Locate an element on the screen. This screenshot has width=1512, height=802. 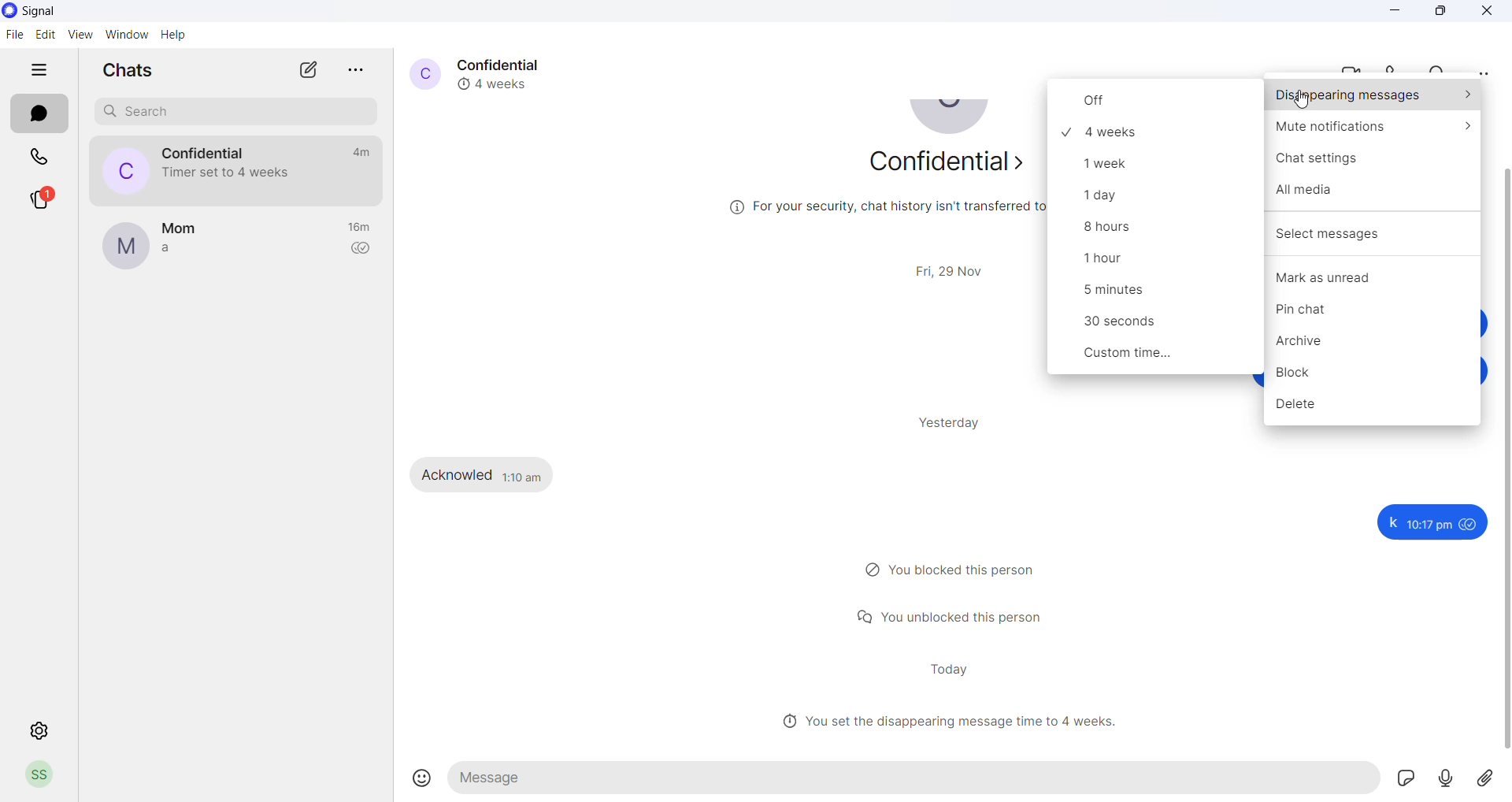
stories is located at coordinates (41, 199).